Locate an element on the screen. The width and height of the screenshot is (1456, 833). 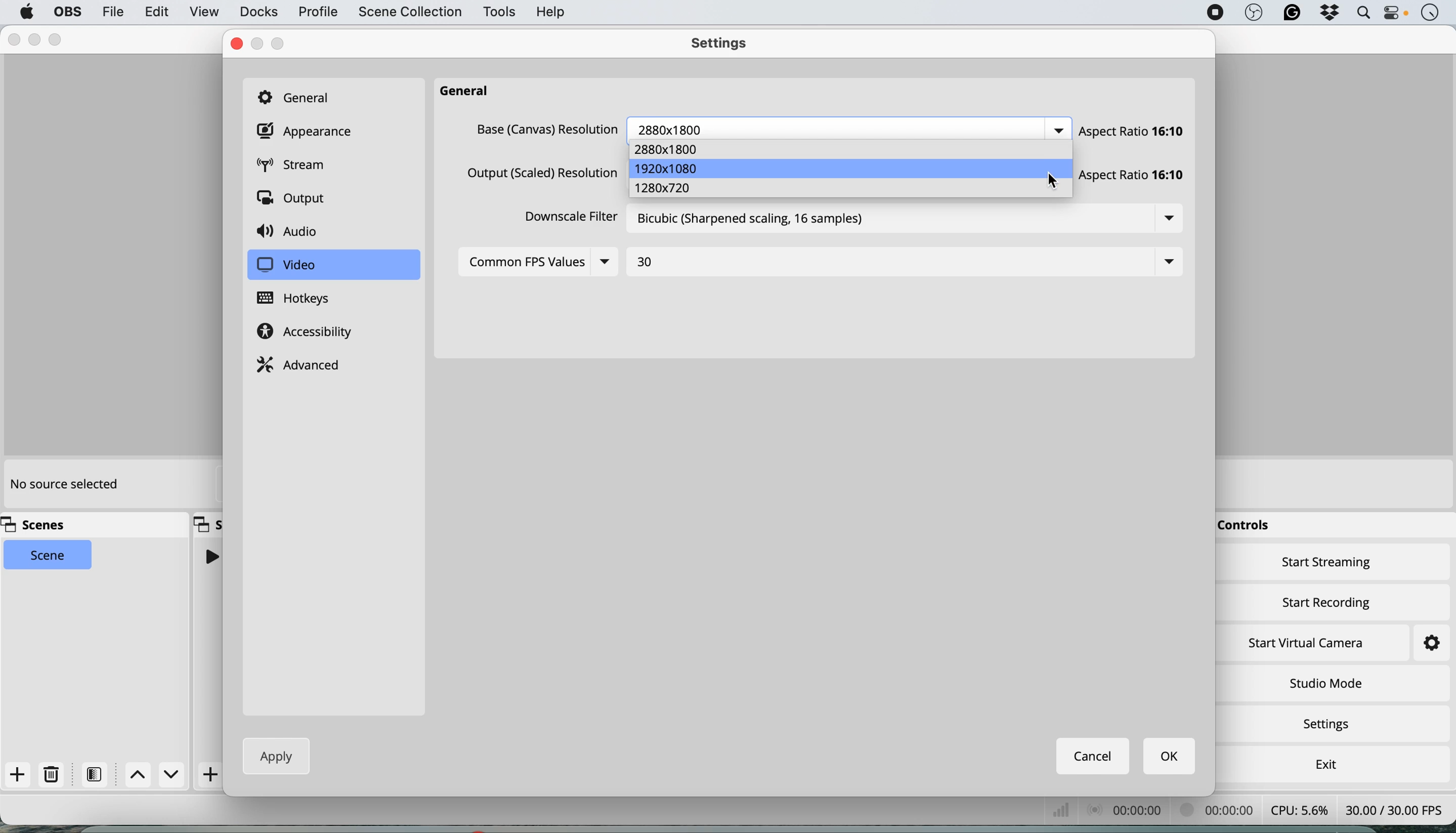
hotkeys is located at coordinates (303, 299).